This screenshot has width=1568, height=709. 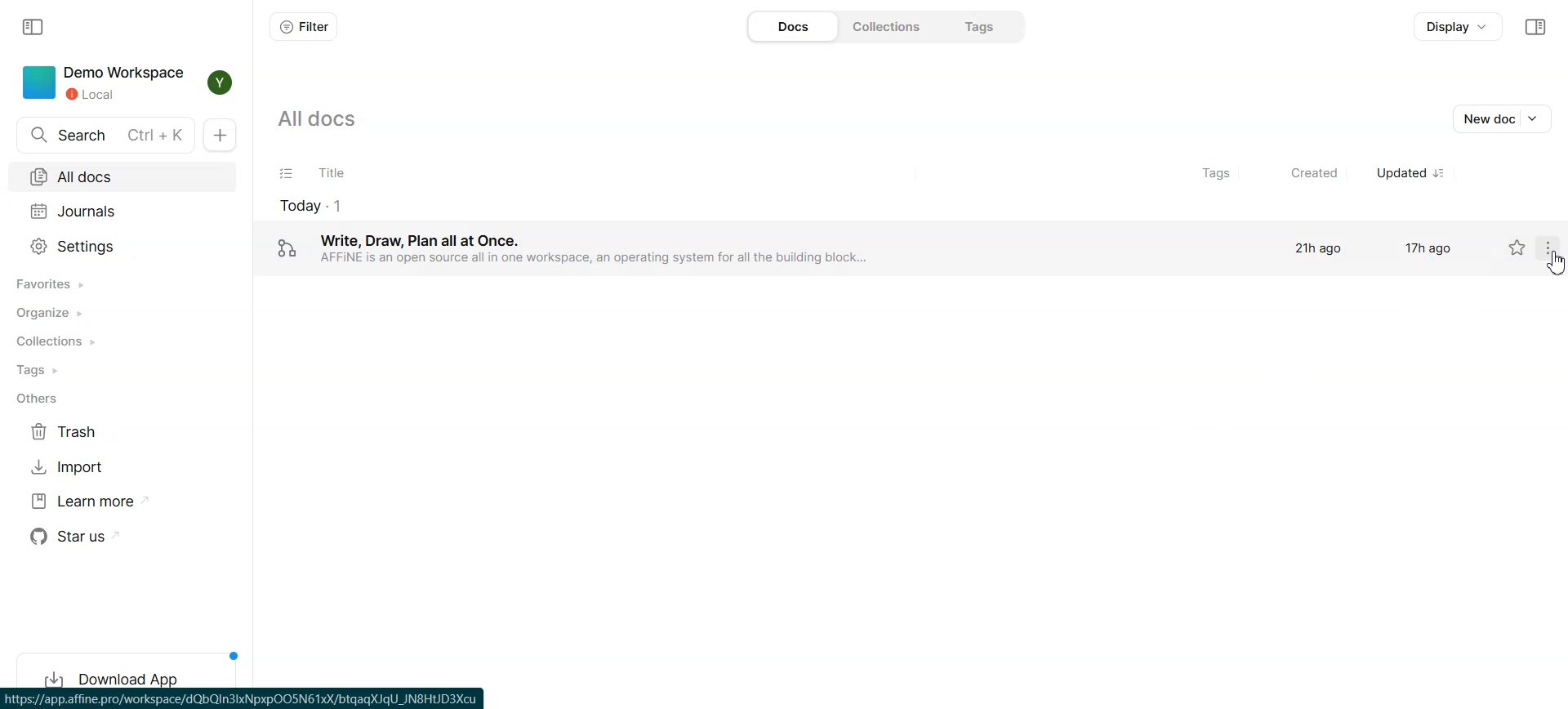 I want to click on Collapse sidebar, so click(x=1535, y=27).